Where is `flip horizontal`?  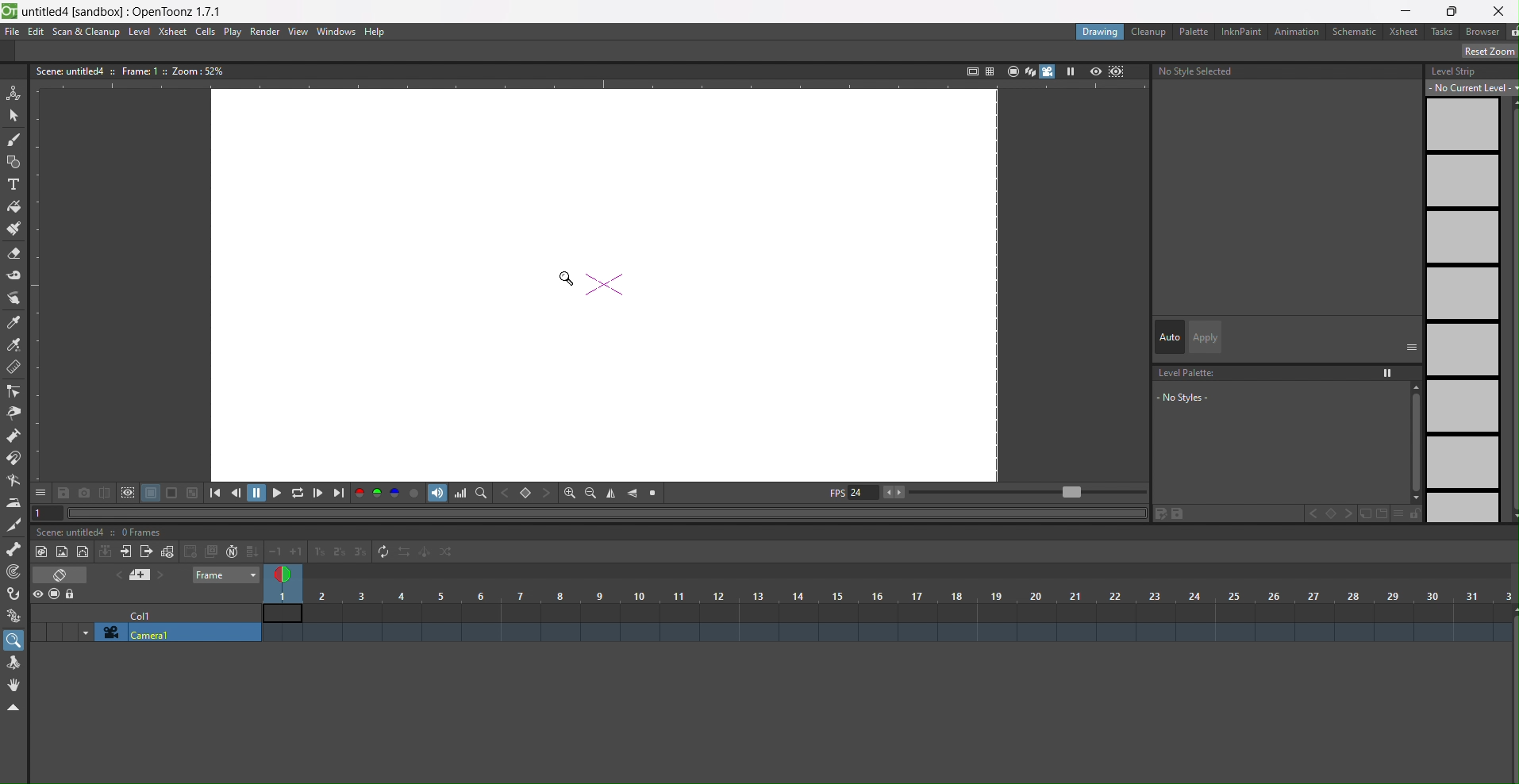 flip horizontal is located at coordinates (633, 494).